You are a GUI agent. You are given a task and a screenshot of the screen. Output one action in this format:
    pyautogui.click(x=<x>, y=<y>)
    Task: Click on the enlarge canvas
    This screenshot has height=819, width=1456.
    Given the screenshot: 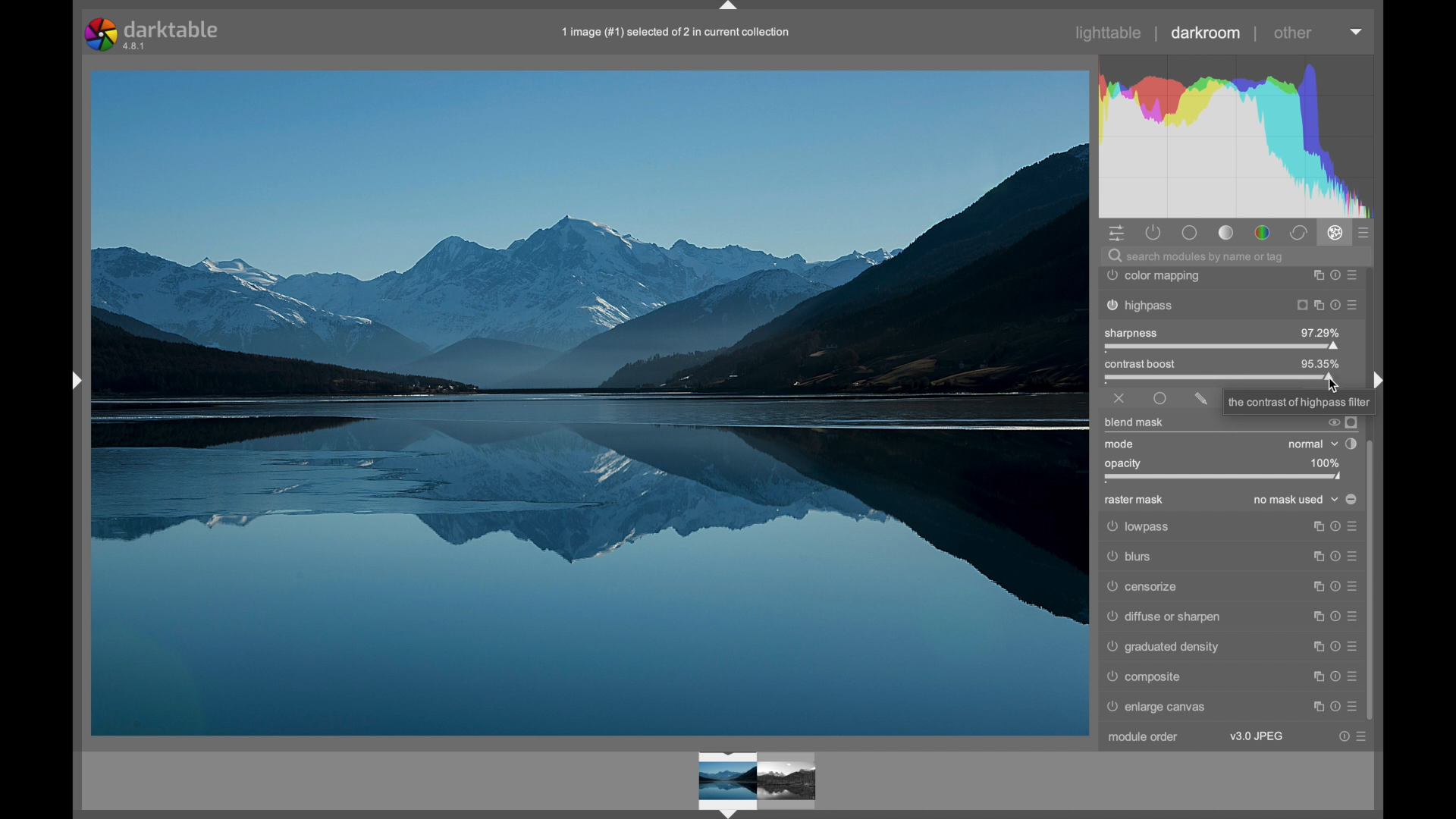 What is the action you would take?
    pyautogui.click(x=1159, y=708)
    